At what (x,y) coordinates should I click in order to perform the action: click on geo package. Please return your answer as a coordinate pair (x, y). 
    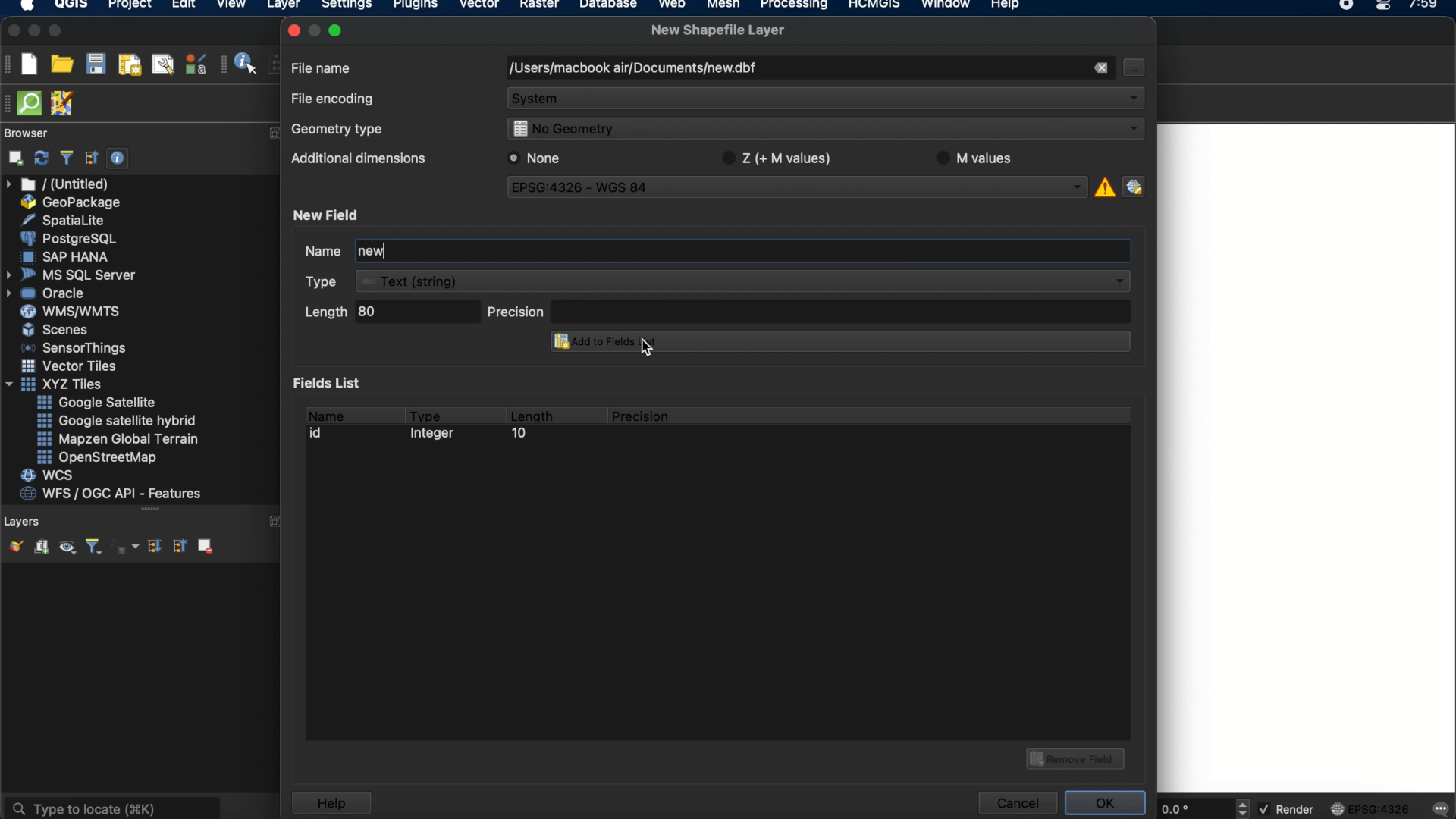
    Looking at the image, I should click on (69, 202).